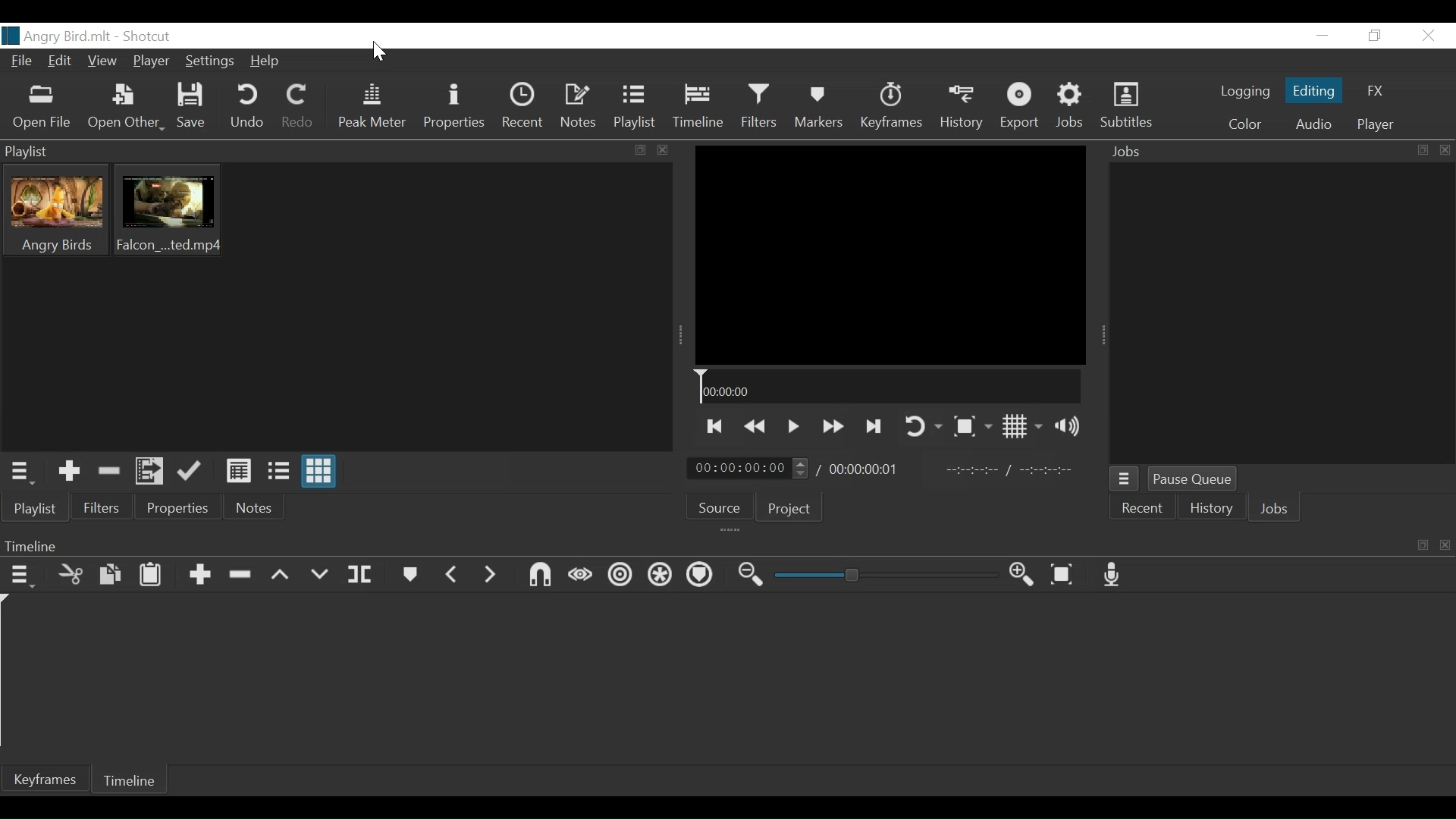  Describe the element at coordinates (1244, 124) in the screenshot. I see `Color` at that location.